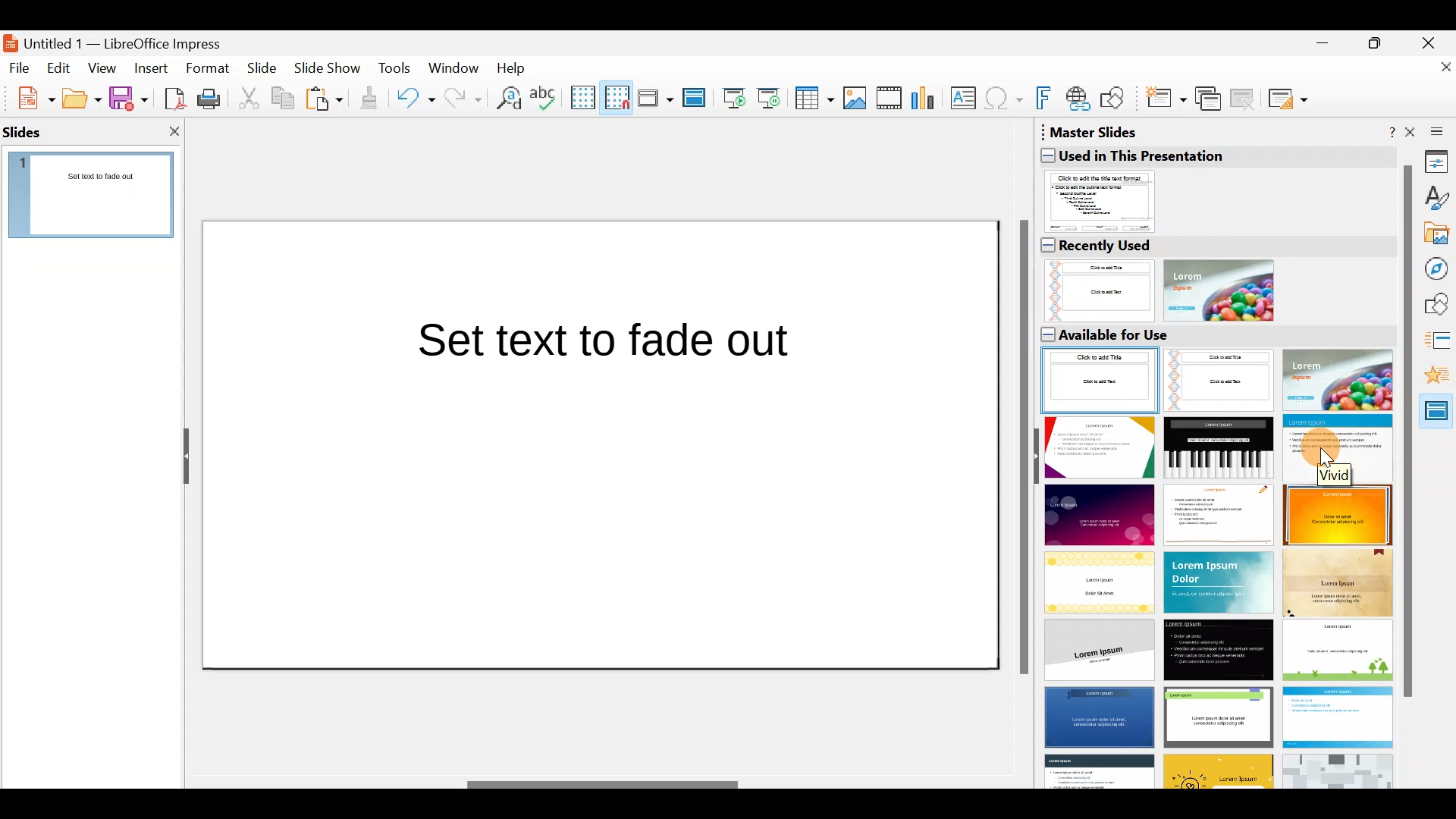  Describe the element at coordinates (1441, 379) in the screenshot. I see `Animation` at that location.